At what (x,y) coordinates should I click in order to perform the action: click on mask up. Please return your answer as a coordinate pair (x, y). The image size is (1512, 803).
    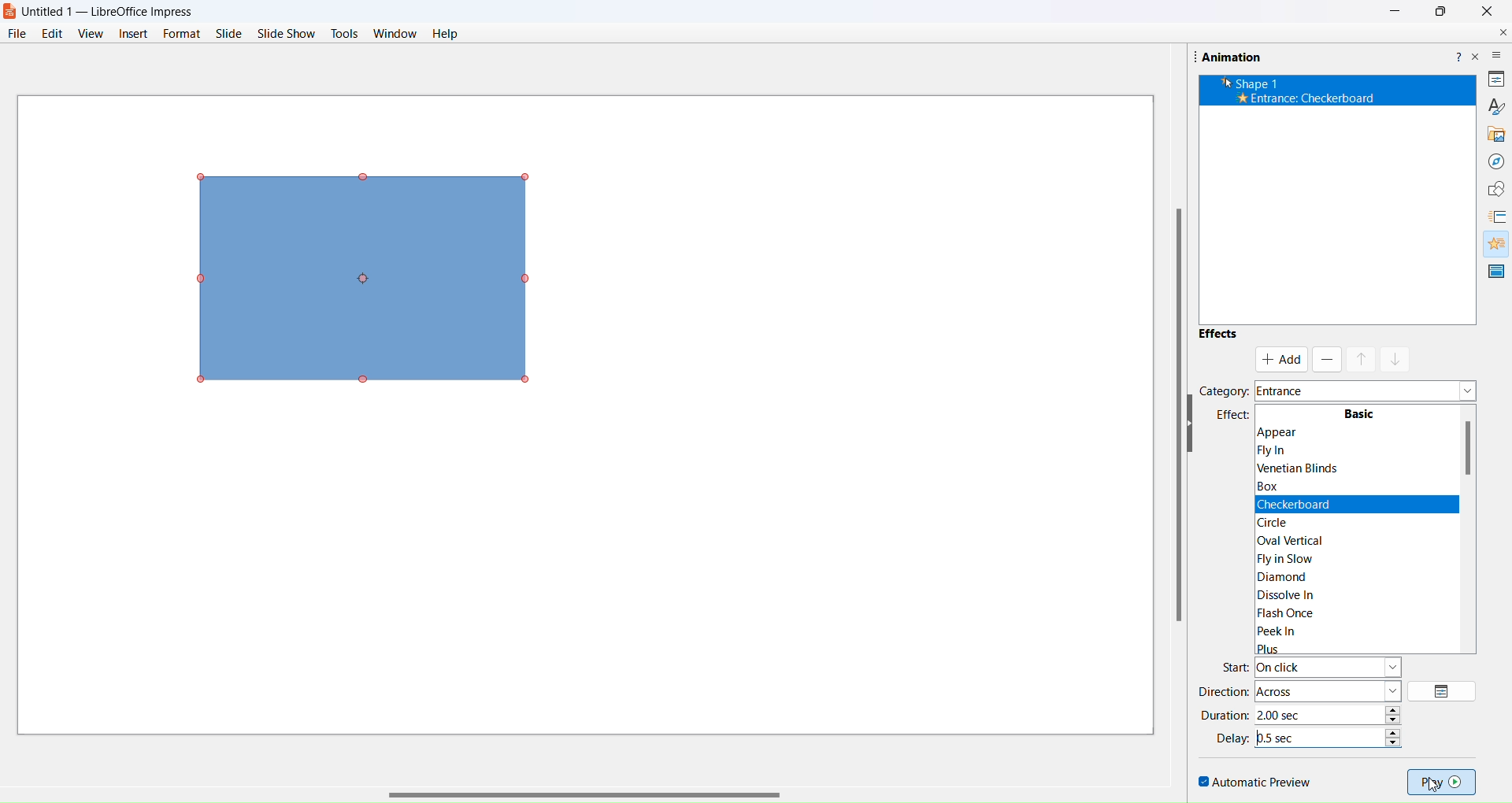
    Looking at the image, I should click on (1360, 358).